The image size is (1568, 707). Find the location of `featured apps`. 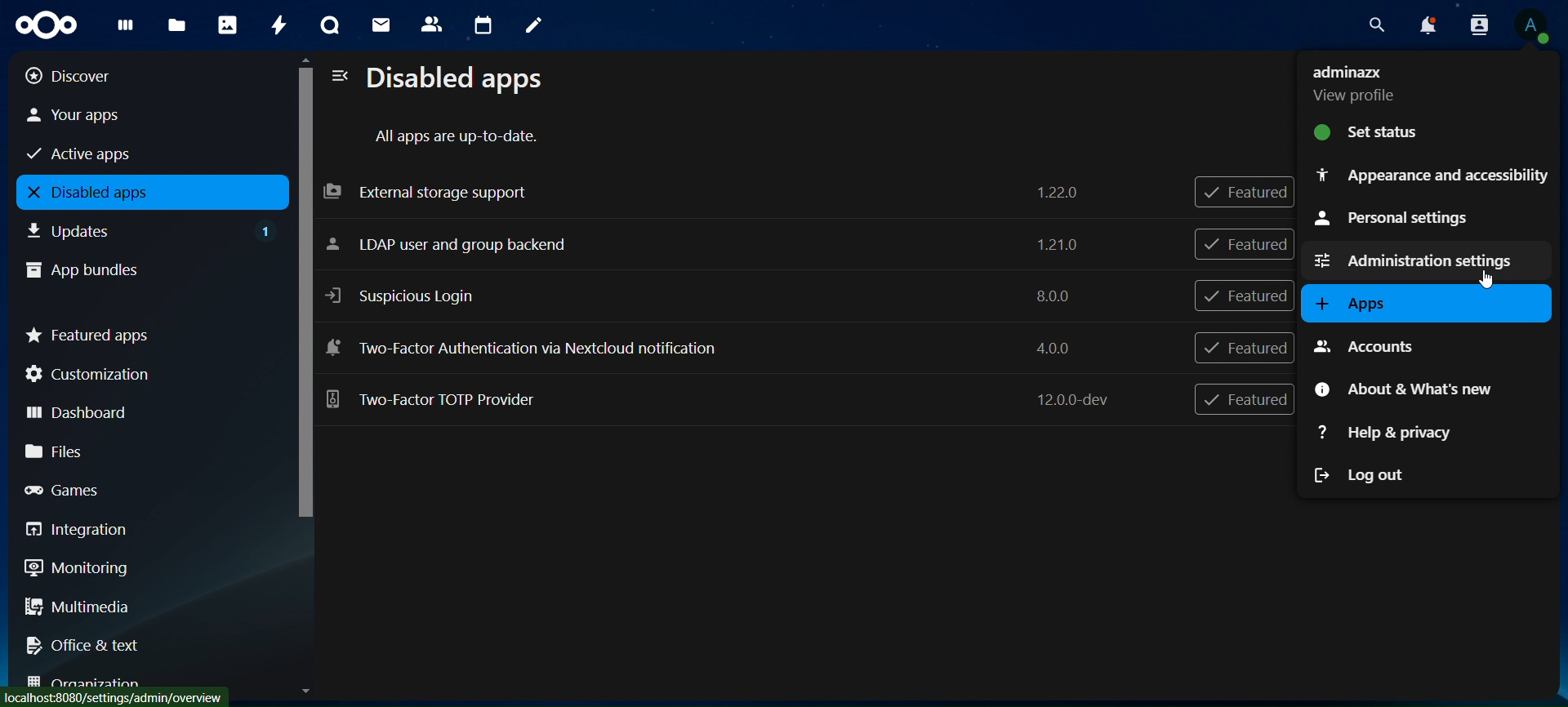

featured apps is located at coordinates (145, 332).